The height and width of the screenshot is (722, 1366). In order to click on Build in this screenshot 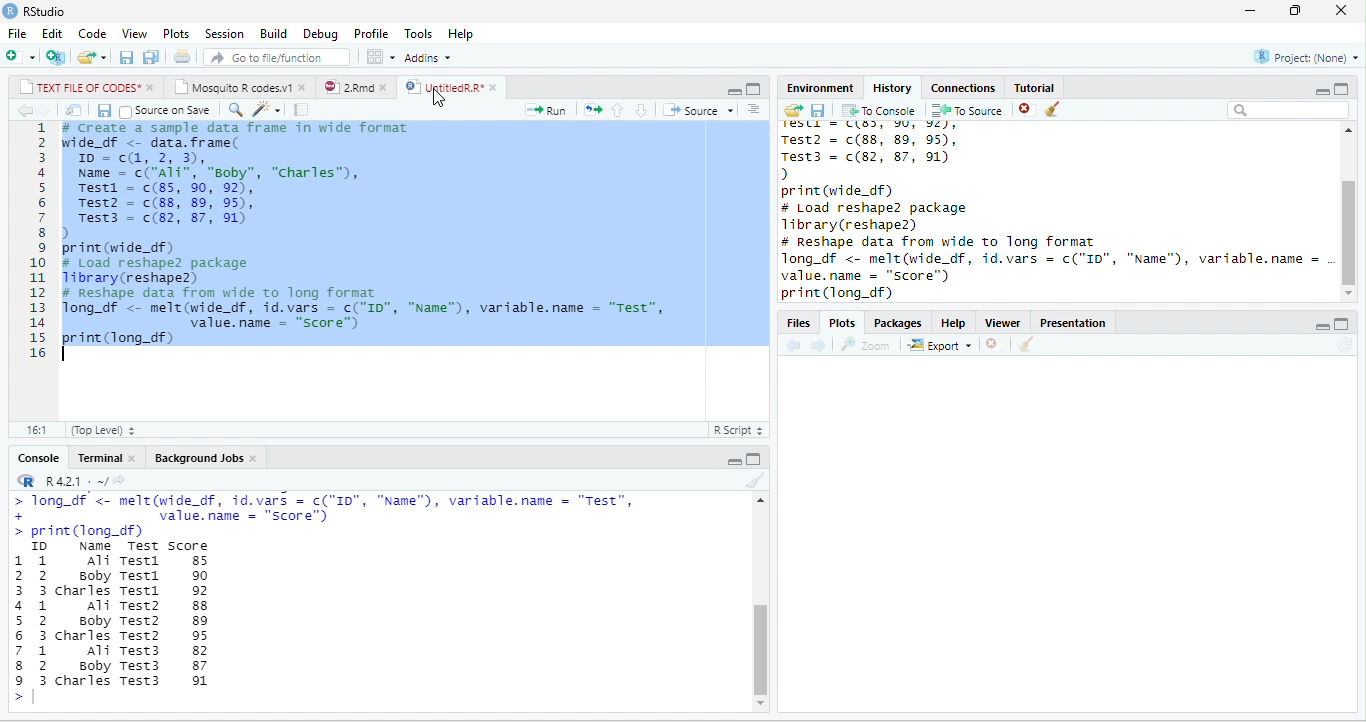, I will do `click(273, 34)`.